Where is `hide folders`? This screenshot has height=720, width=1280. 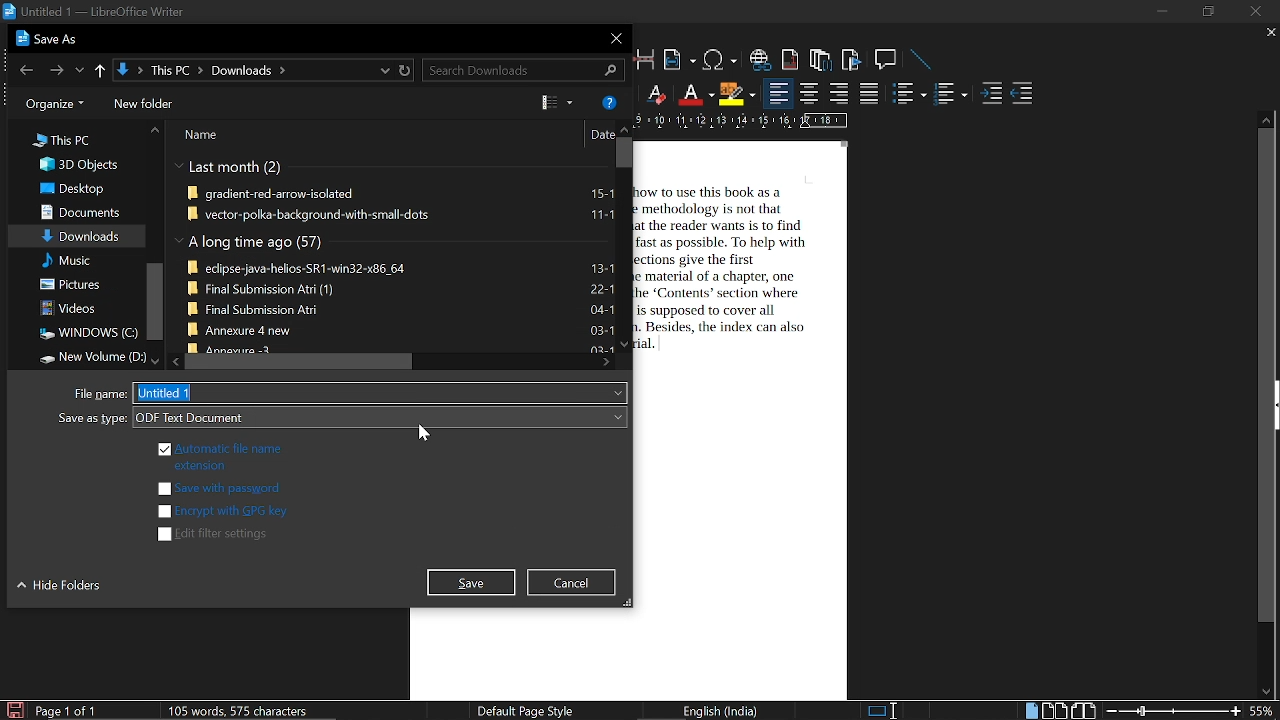 hide folders is located at coordinates (62, 589).